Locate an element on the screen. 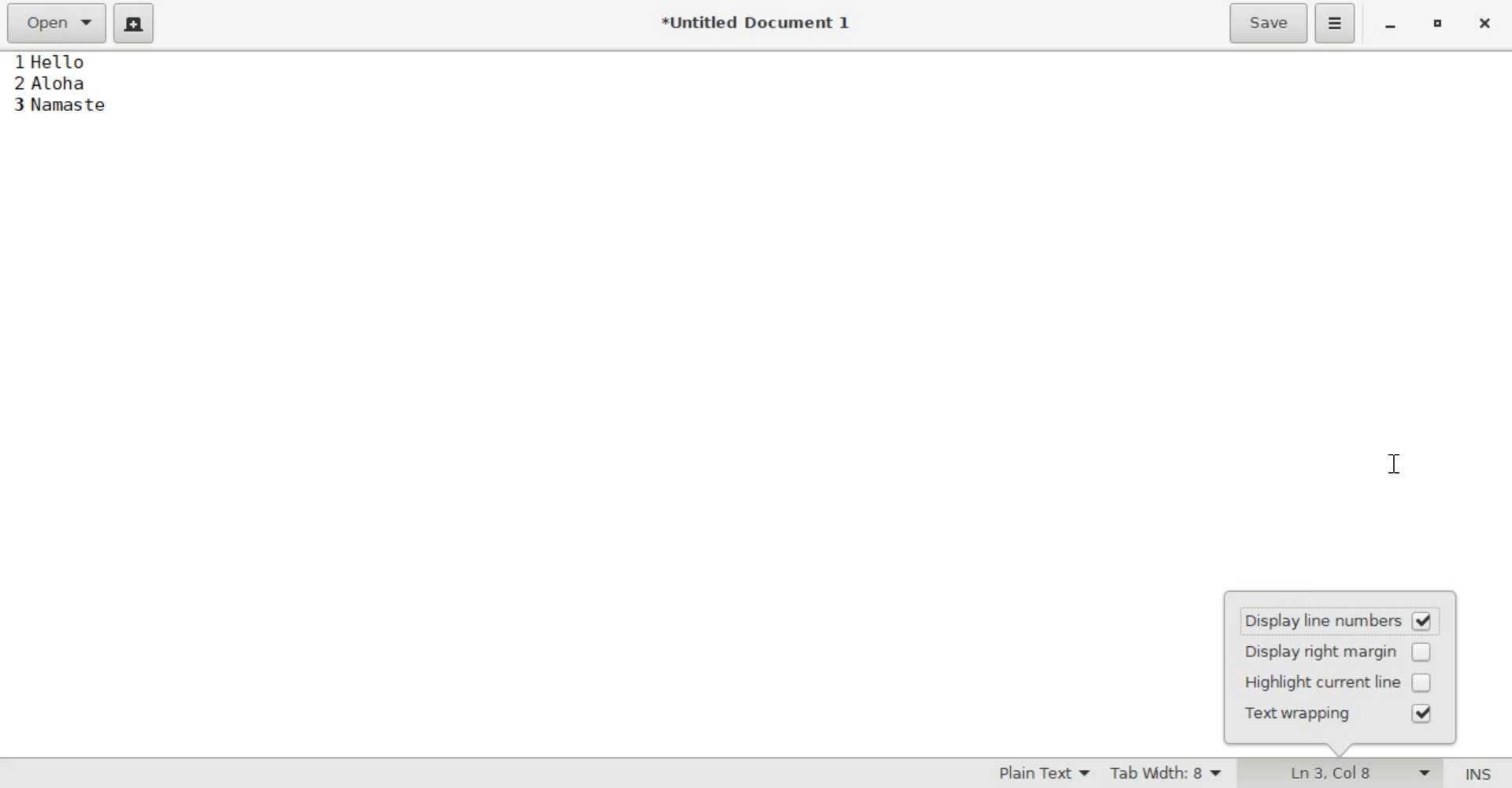 This screenshot has height=788, width=1512. Maximize is located at coordinates (1439, 24).